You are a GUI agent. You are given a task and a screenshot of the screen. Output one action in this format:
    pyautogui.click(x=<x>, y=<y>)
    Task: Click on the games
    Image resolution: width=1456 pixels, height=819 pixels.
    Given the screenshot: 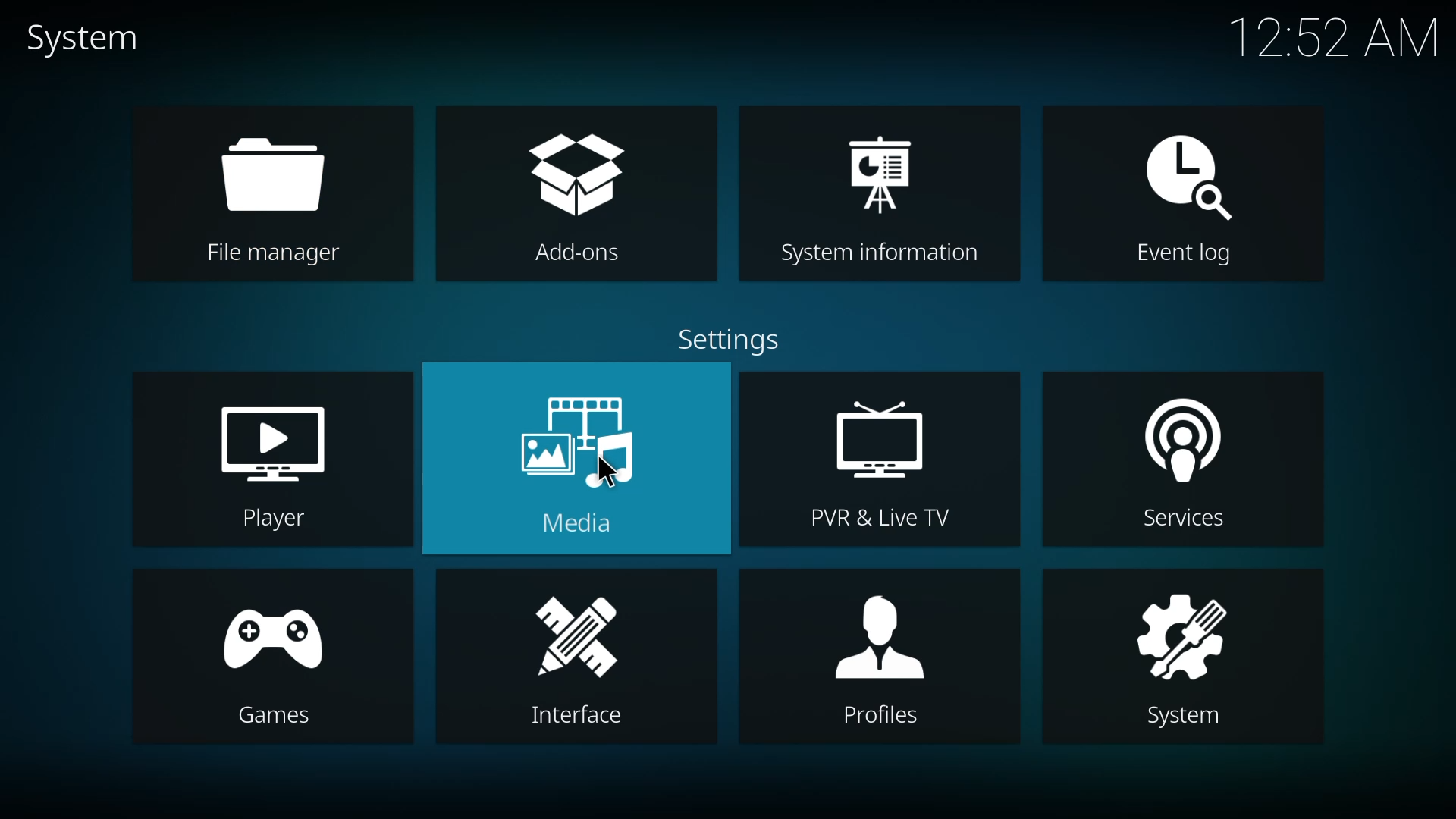 What is the action you would take?
    pyautogui.click(x=276, y=631)
    